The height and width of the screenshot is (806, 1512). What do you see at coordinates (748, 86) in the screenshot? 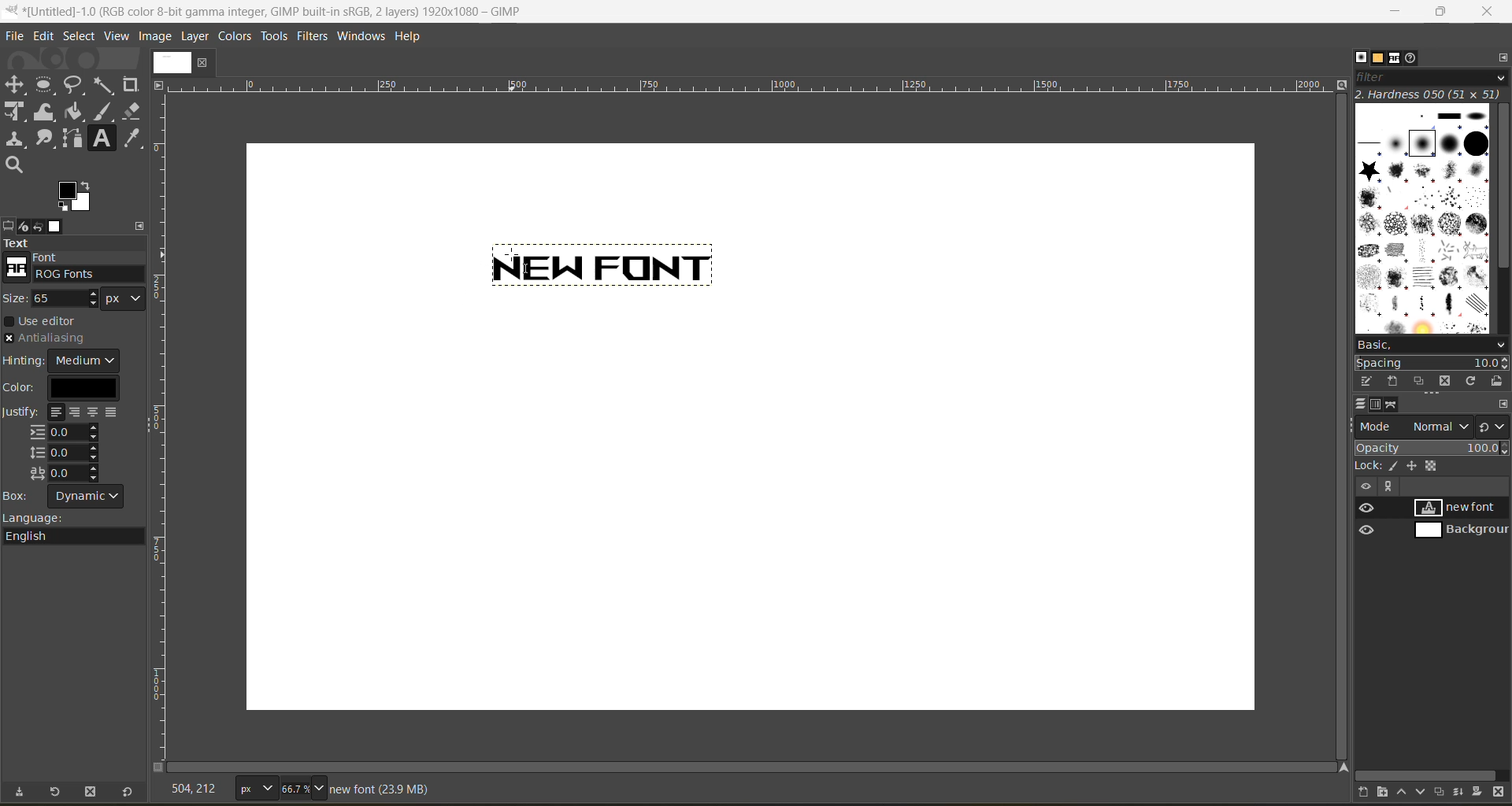
I see `scale` at bounding box center [748, 86].